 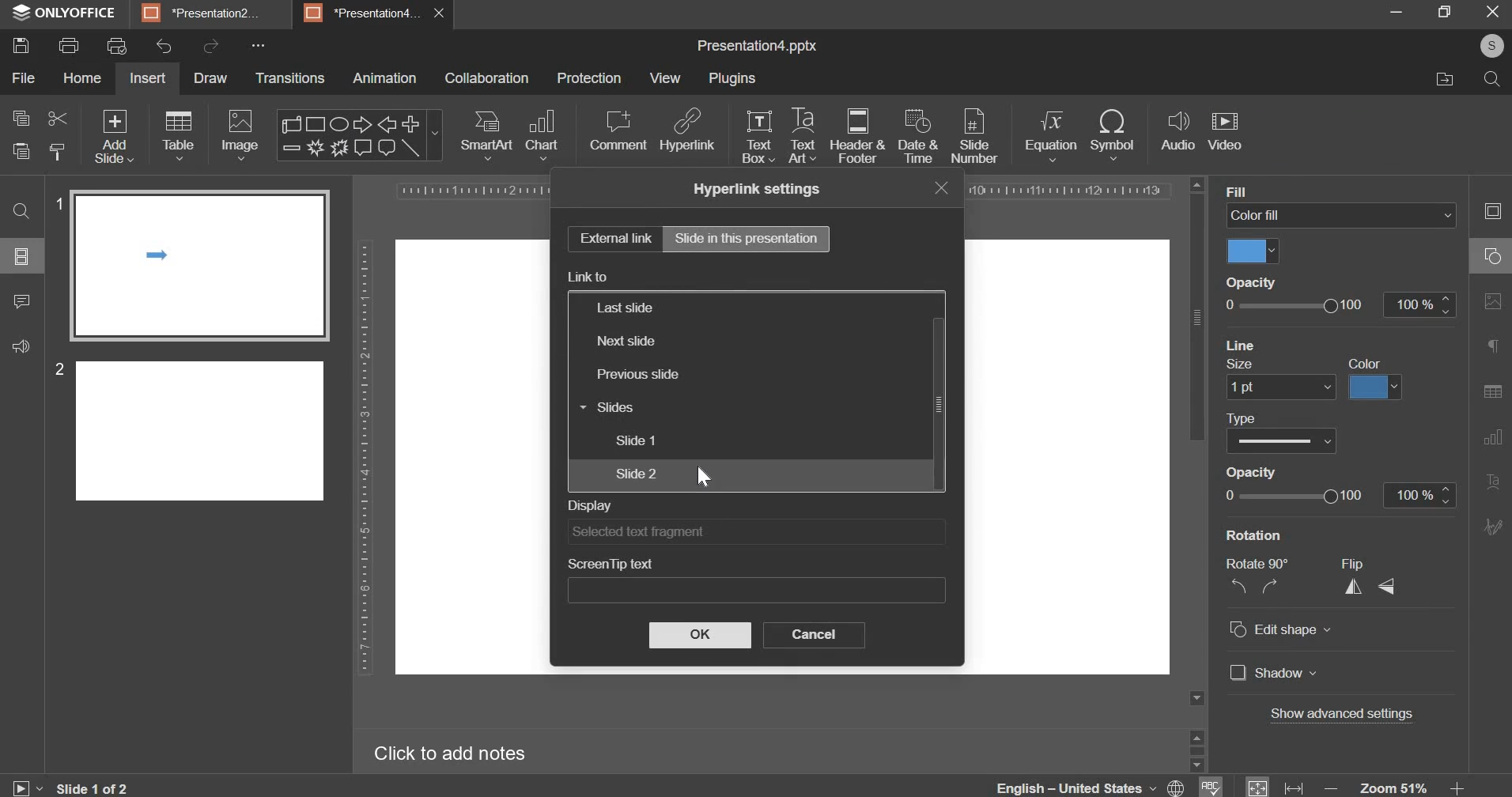 What do you see at coordinates (1383, 387) in the screenshot?
I see `` at bounding box center [1383, 387].